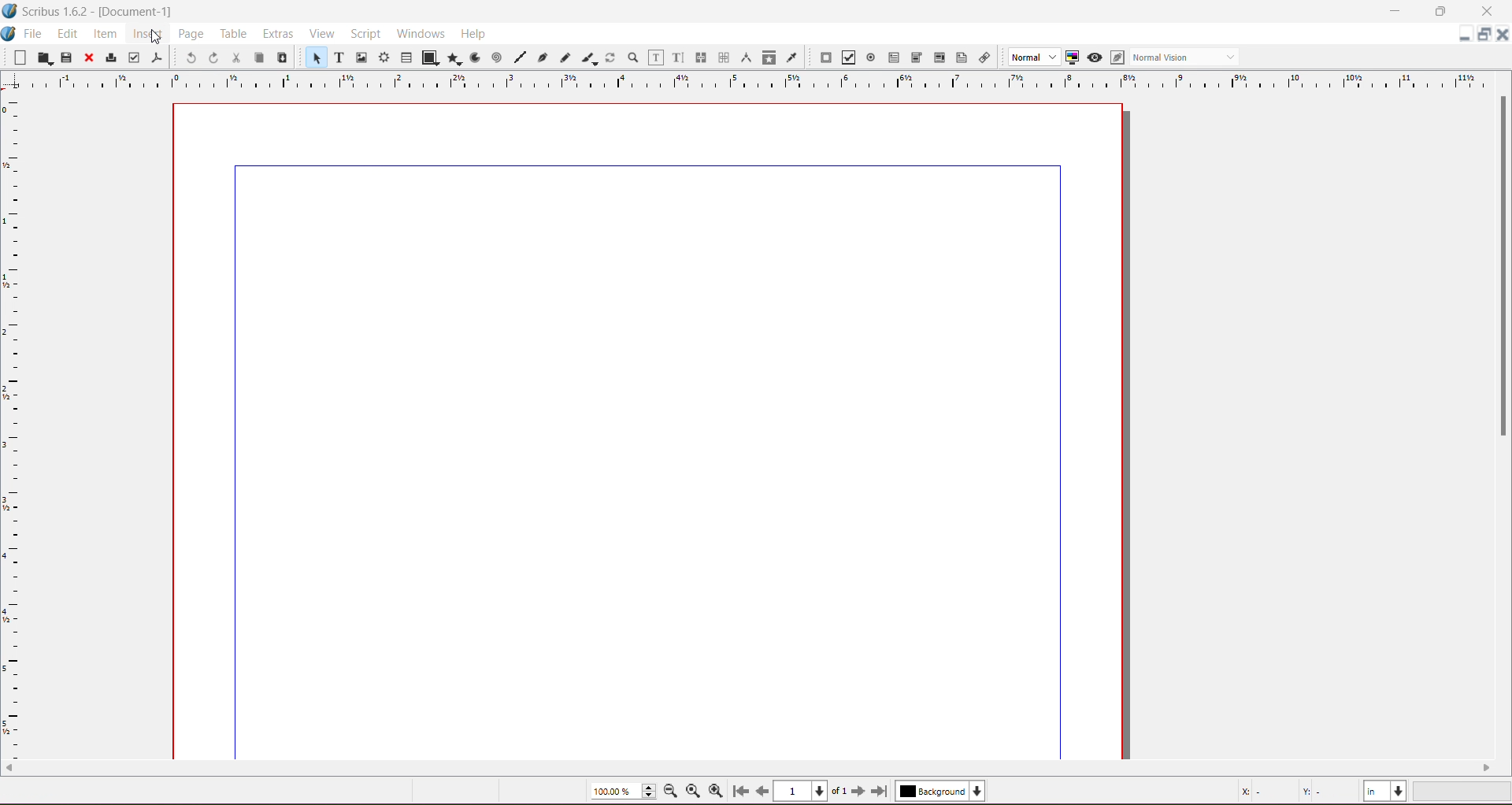 The width and height of the screenshot is (1512, 805). Describe the element at coordinates (133, 58) in the screenshot. I see `Preflight Verifier` at that location.